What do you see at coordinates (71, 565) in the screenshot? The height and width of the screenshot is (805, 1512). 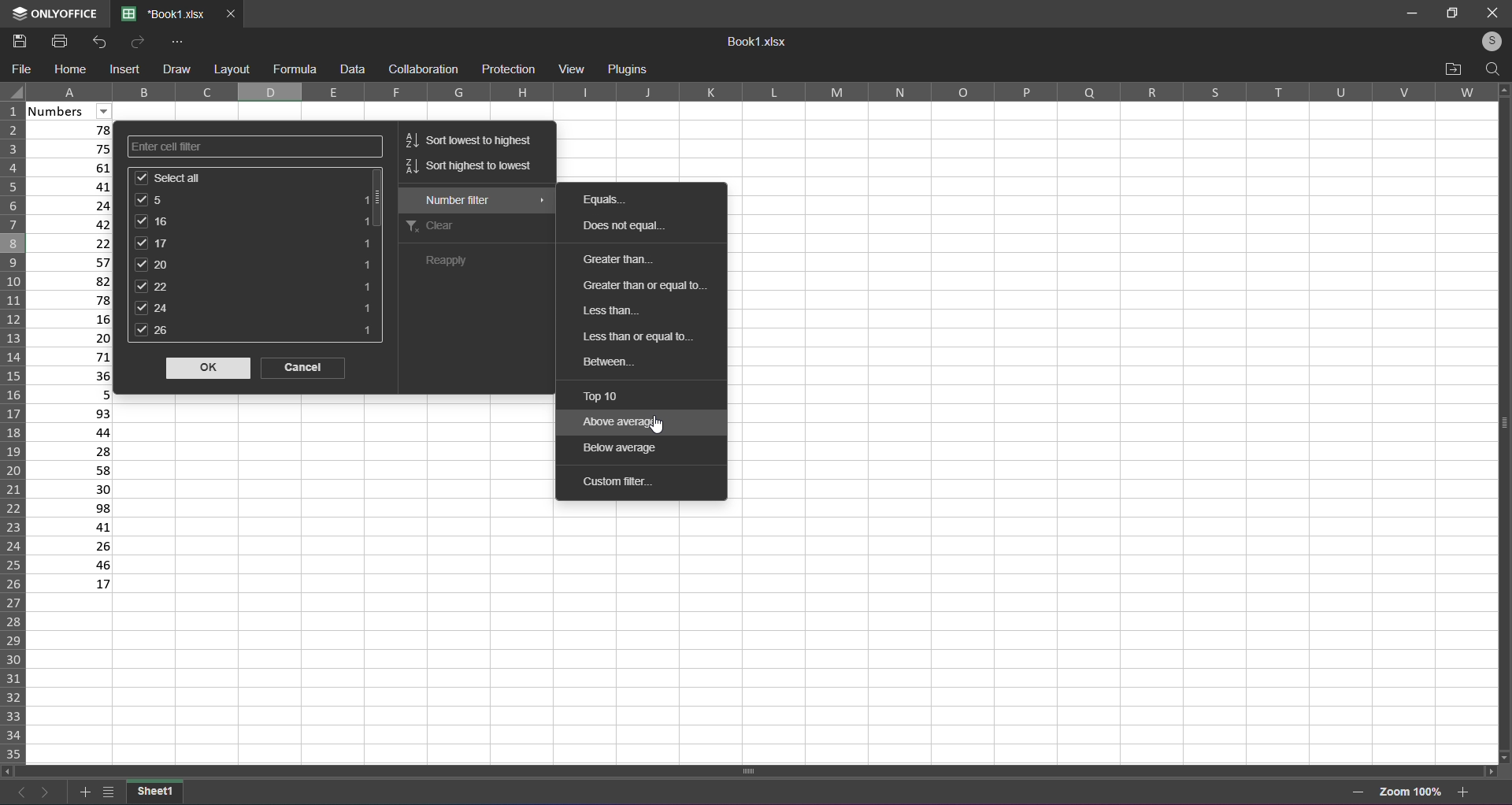 I see `46` at bounding box center [71, 565].